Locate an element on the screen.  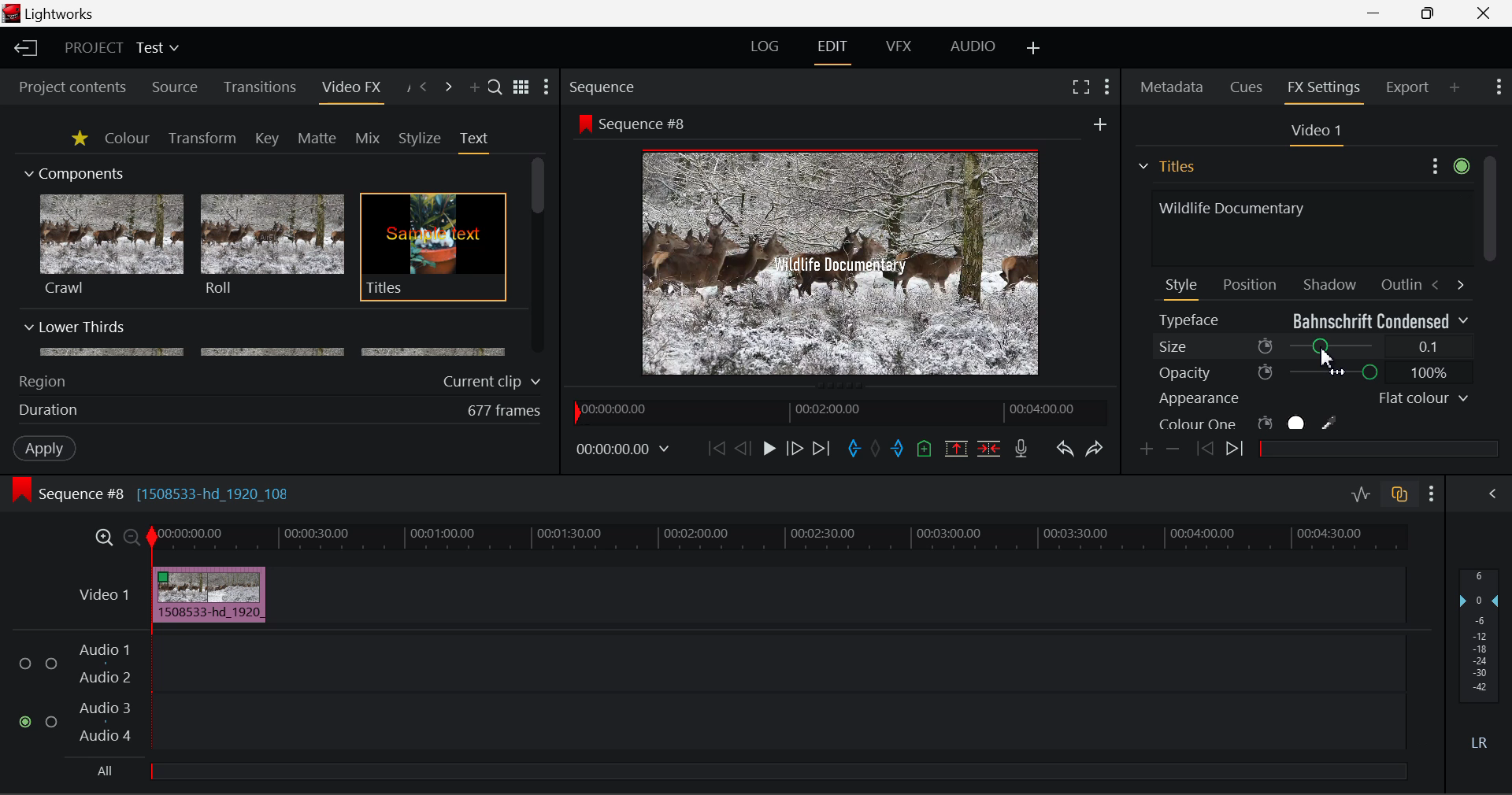
To Start is located at coordinates (717, 449).